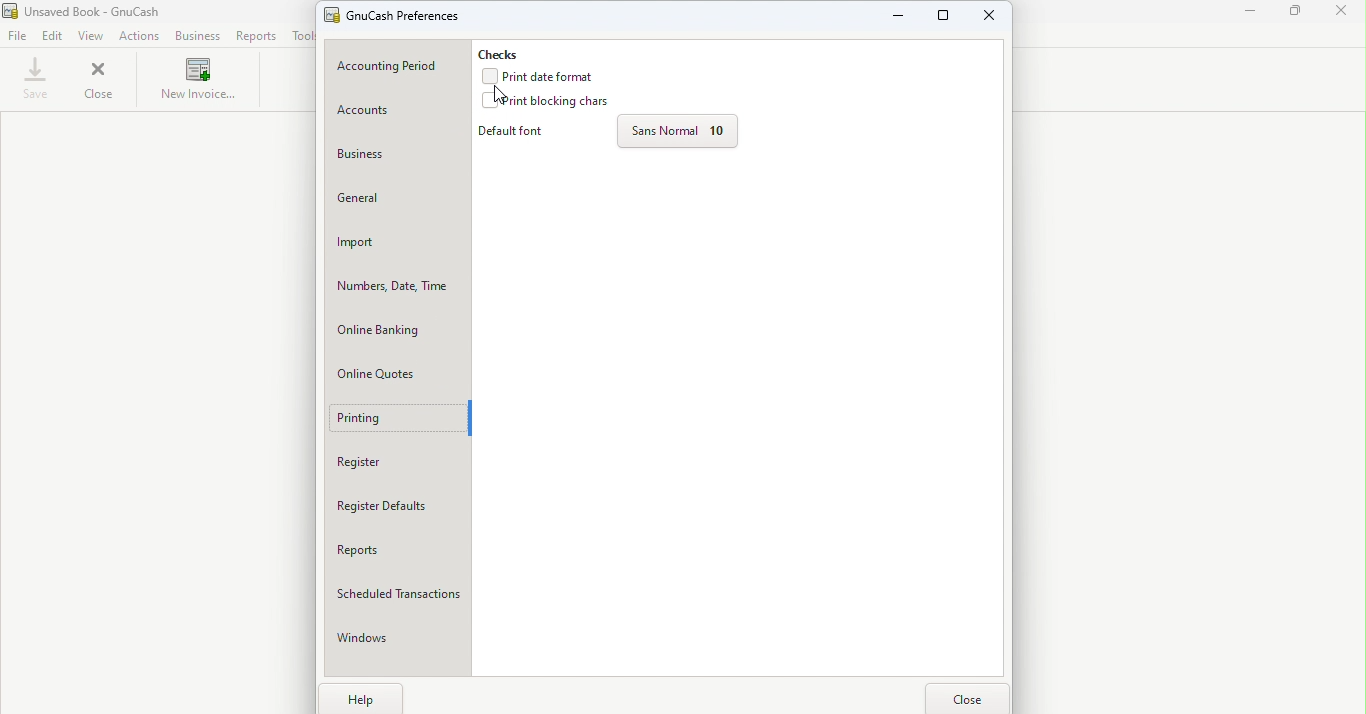 This screenshot has width=1366, height=714. What do you see at coordinates (139, 36) in the screenshot?
I see `Actions` at bounding box center [139, 36].